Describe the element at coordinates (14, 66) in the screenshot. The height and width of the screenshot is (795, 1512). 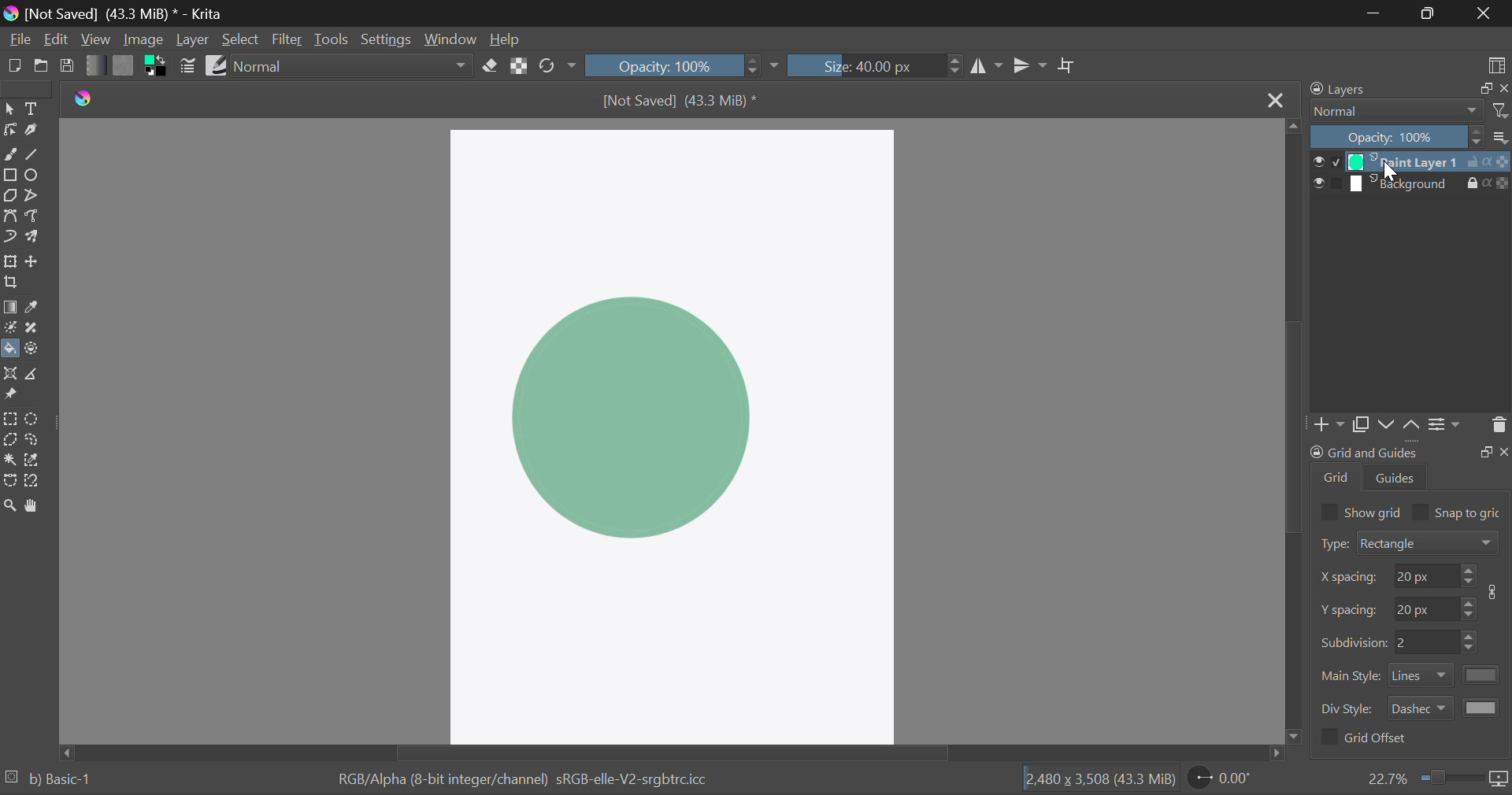
I see `New` at that location.